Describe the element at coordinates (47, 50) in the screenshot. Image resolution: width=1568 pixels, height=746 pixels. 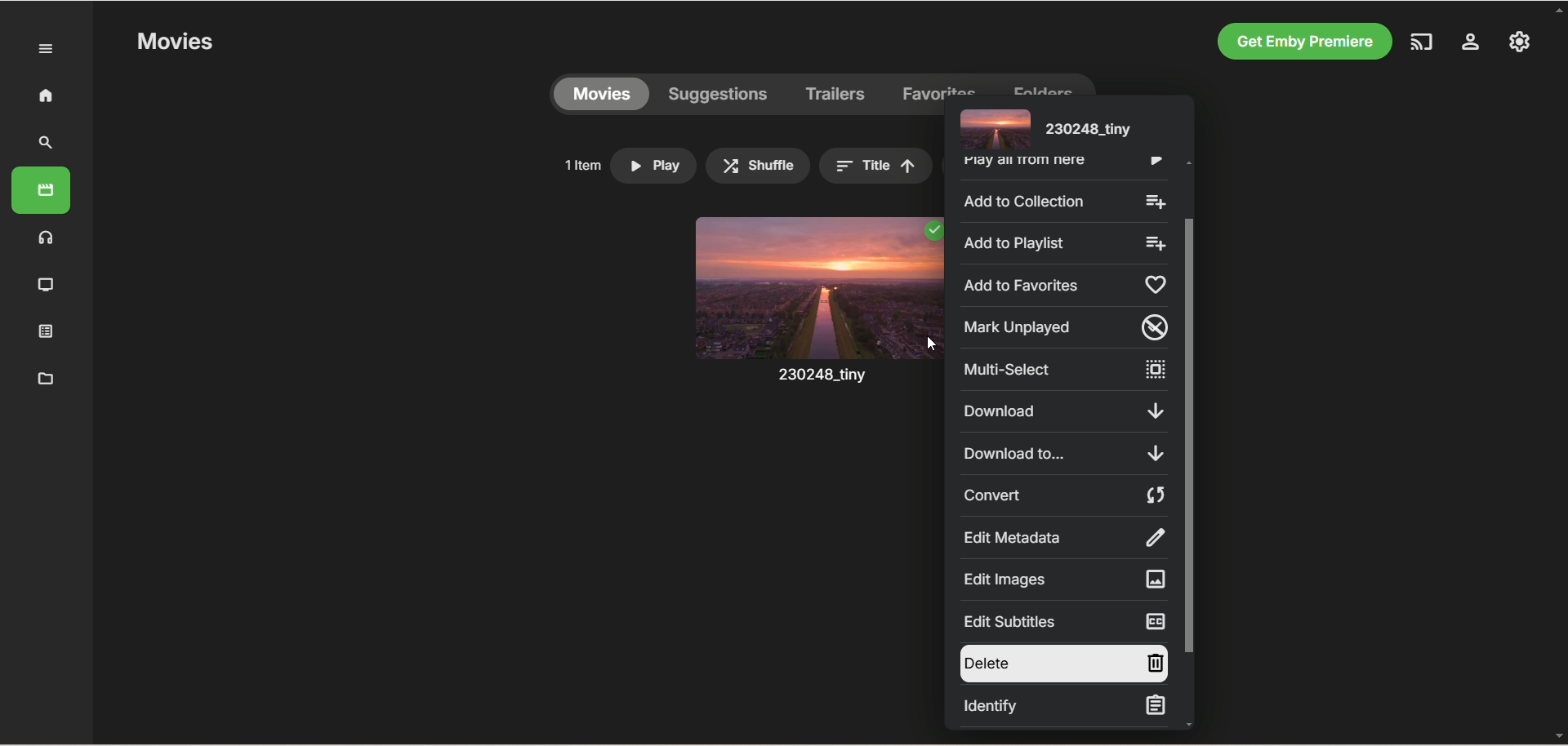
I see `Expand` at that location.